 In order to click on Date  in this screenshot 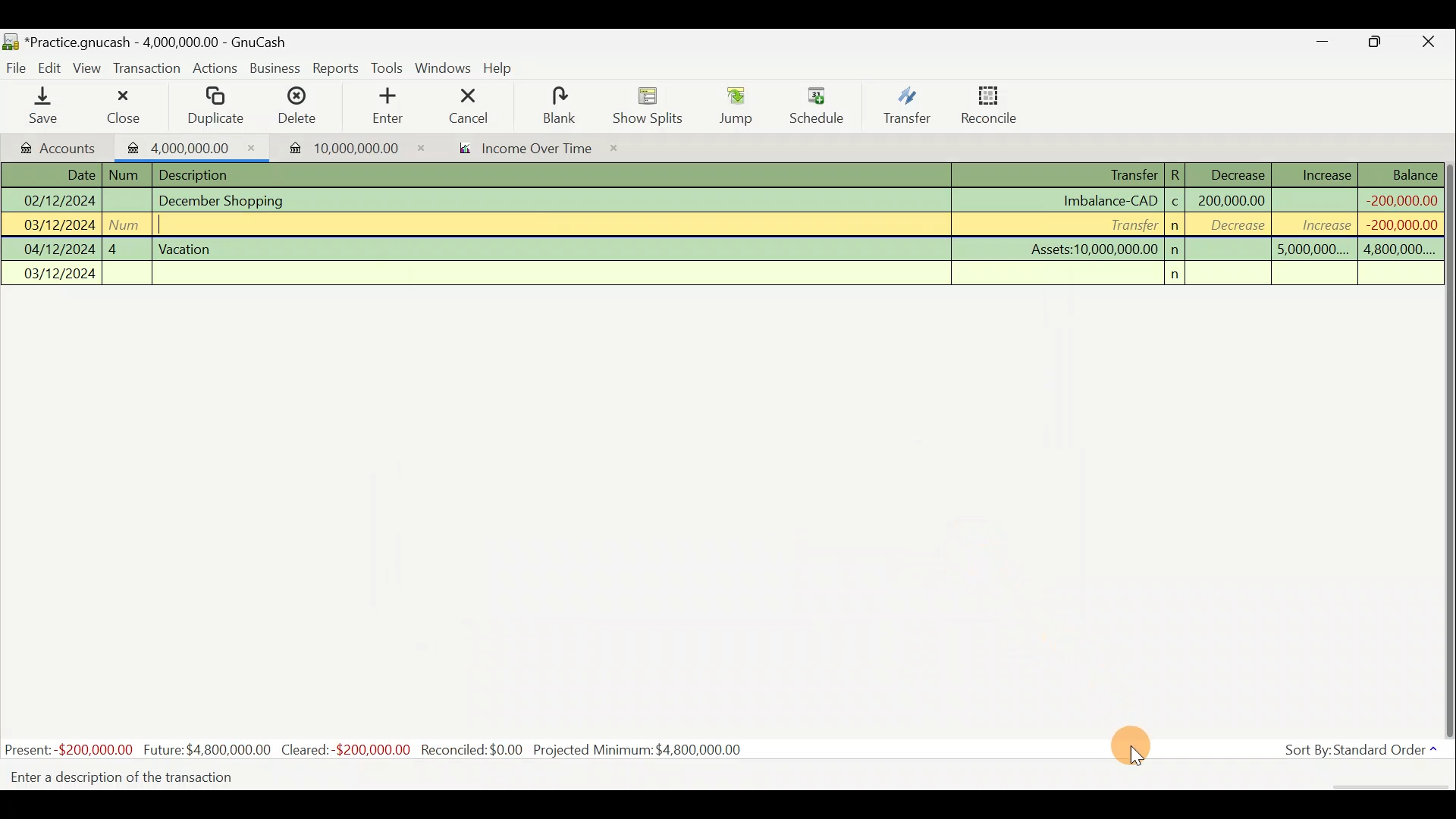, I will do `click(71, 174)`.